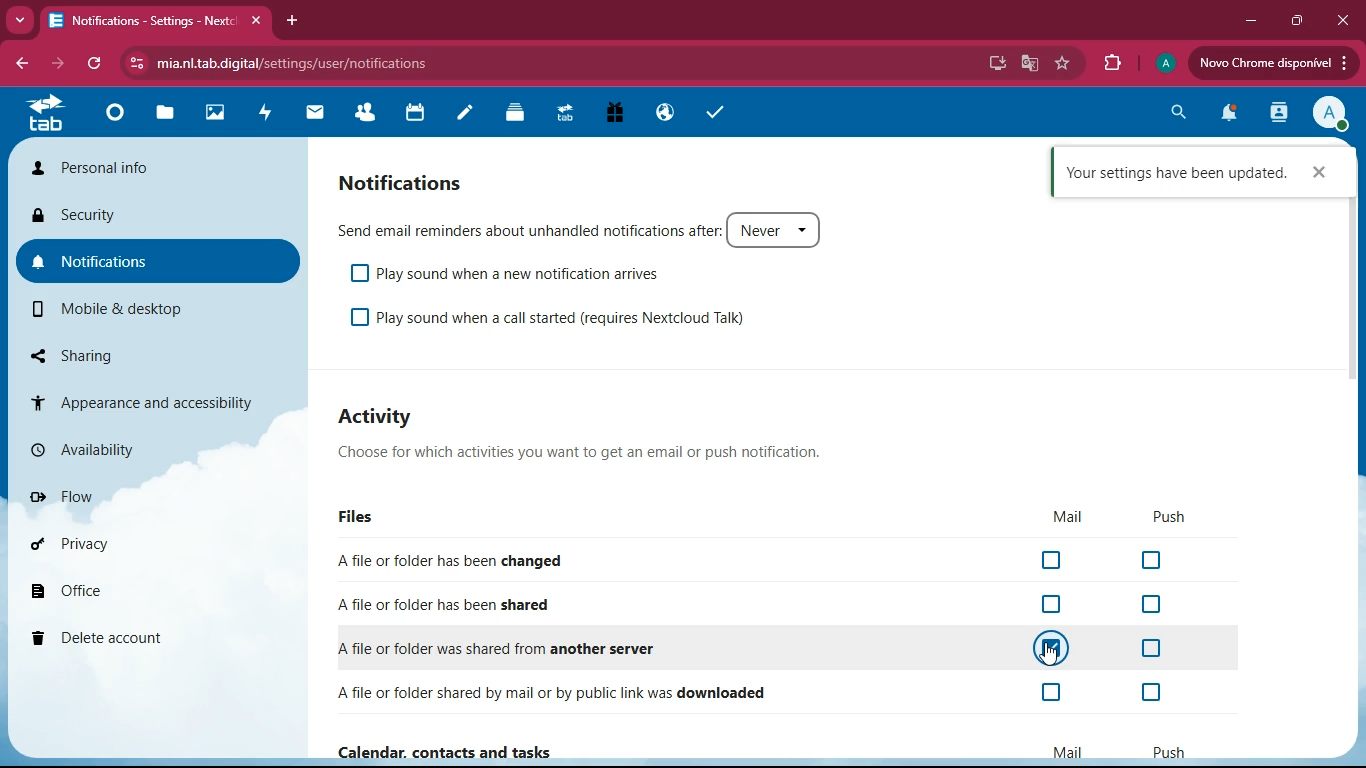 This screenshot has width=1366, height=768. I want to click on activity, so click(382, 417).